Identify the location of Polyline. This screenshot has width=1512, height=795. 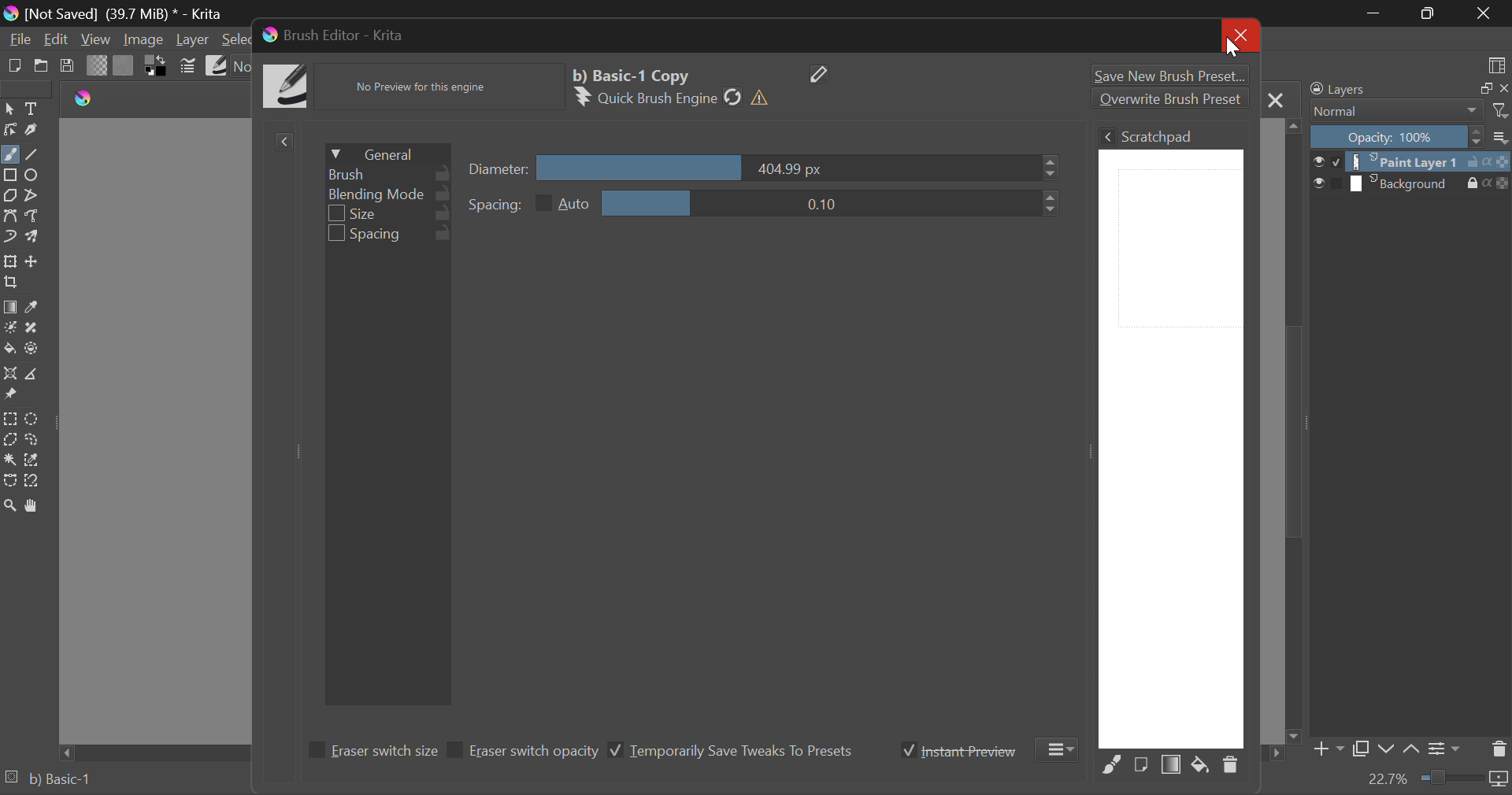
(35, 195).